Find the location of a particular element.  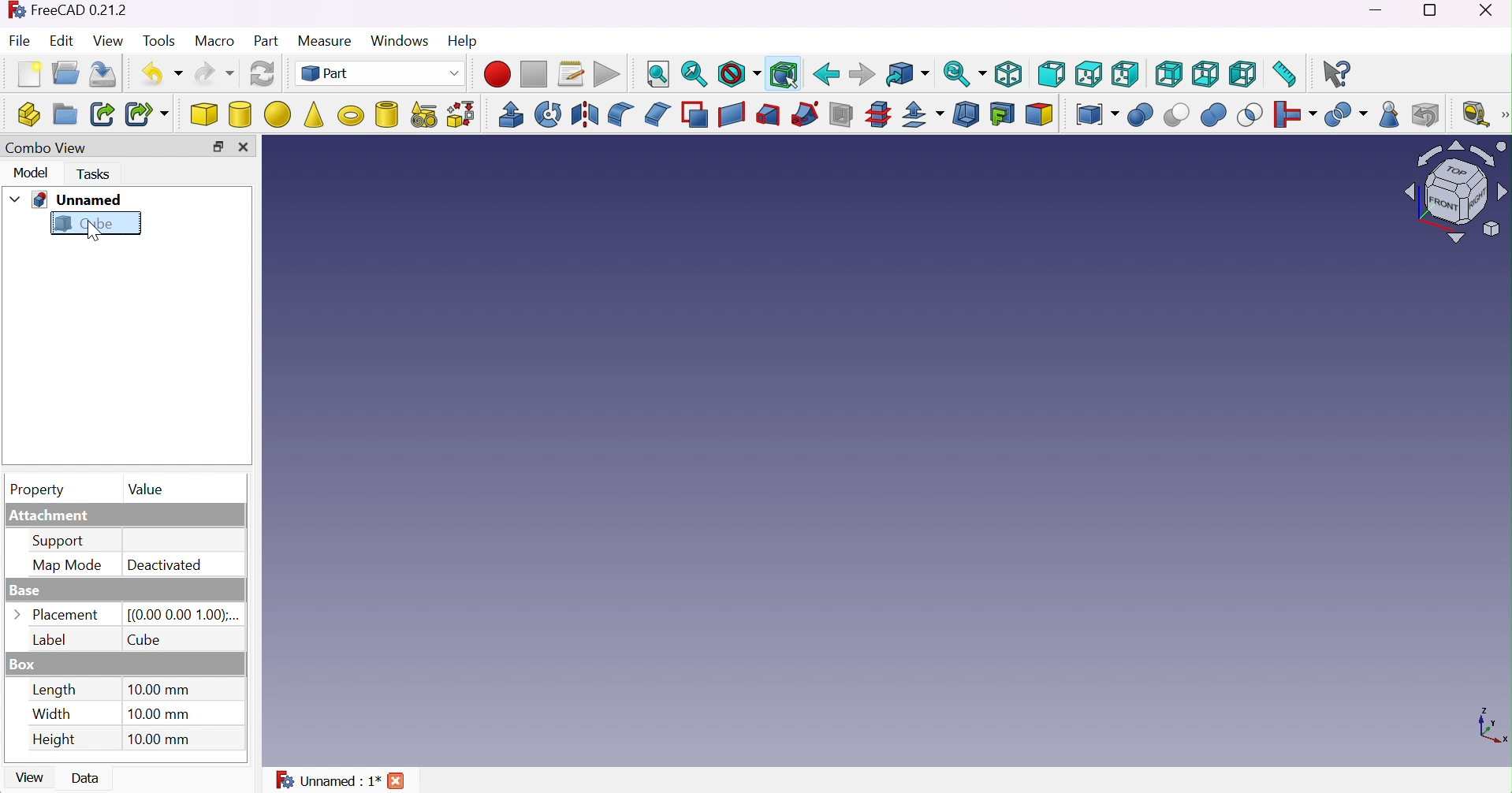

Stop macro recording is located at coordinates (534, 75).